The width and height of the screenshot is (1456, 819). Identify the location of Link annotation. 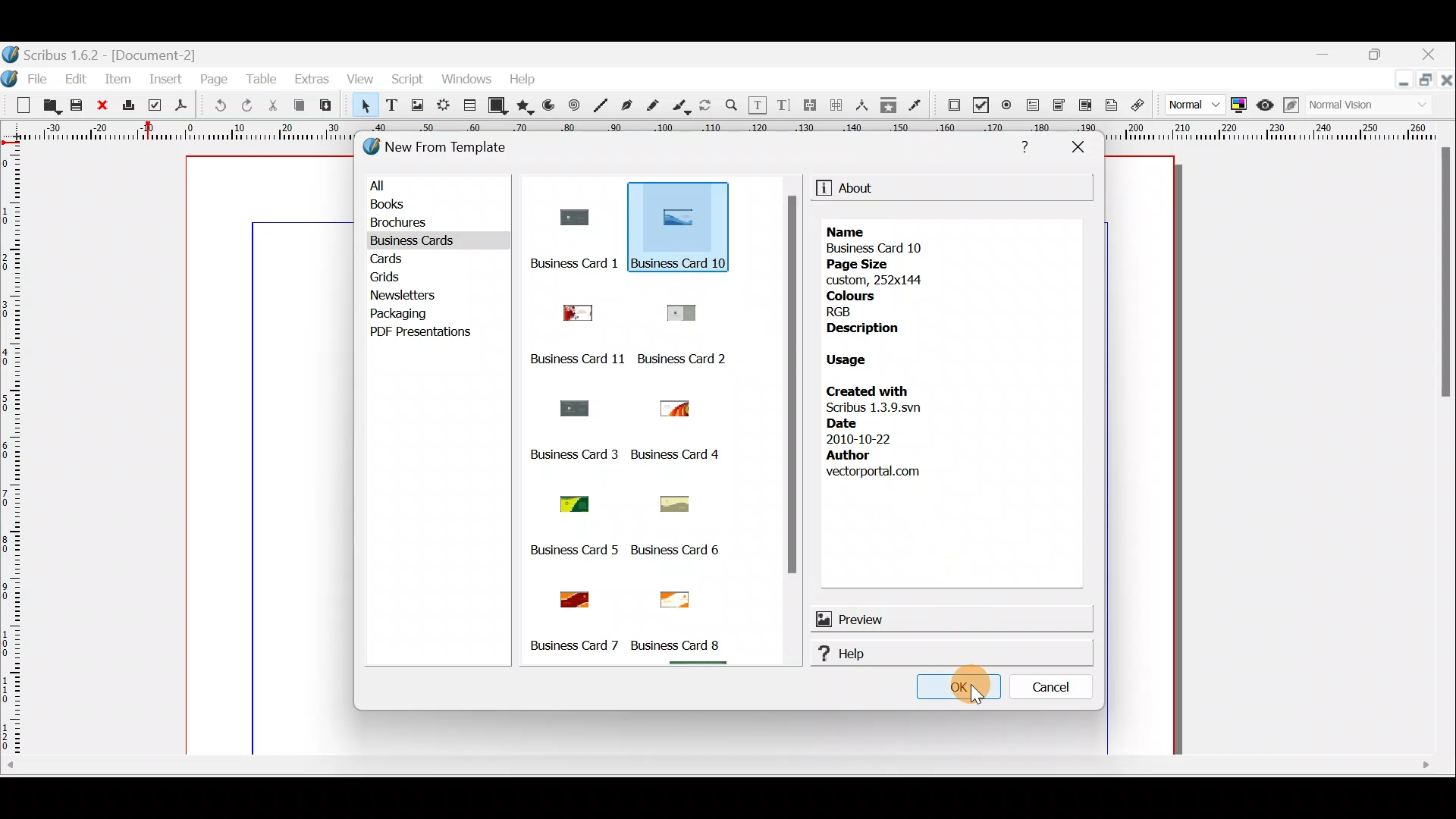
(1137, 106).